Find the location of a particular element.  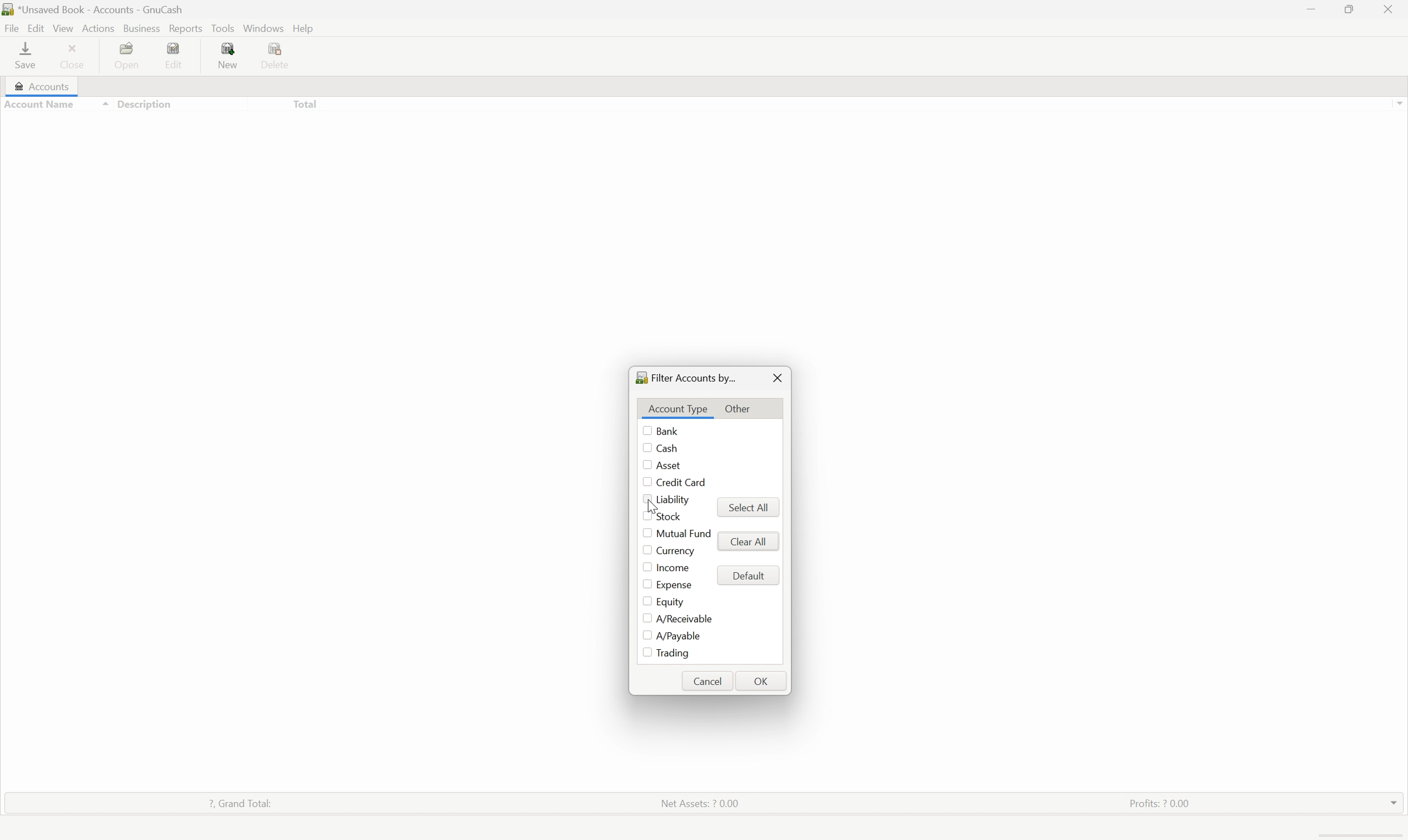

help is located at coordinates (305, 29).